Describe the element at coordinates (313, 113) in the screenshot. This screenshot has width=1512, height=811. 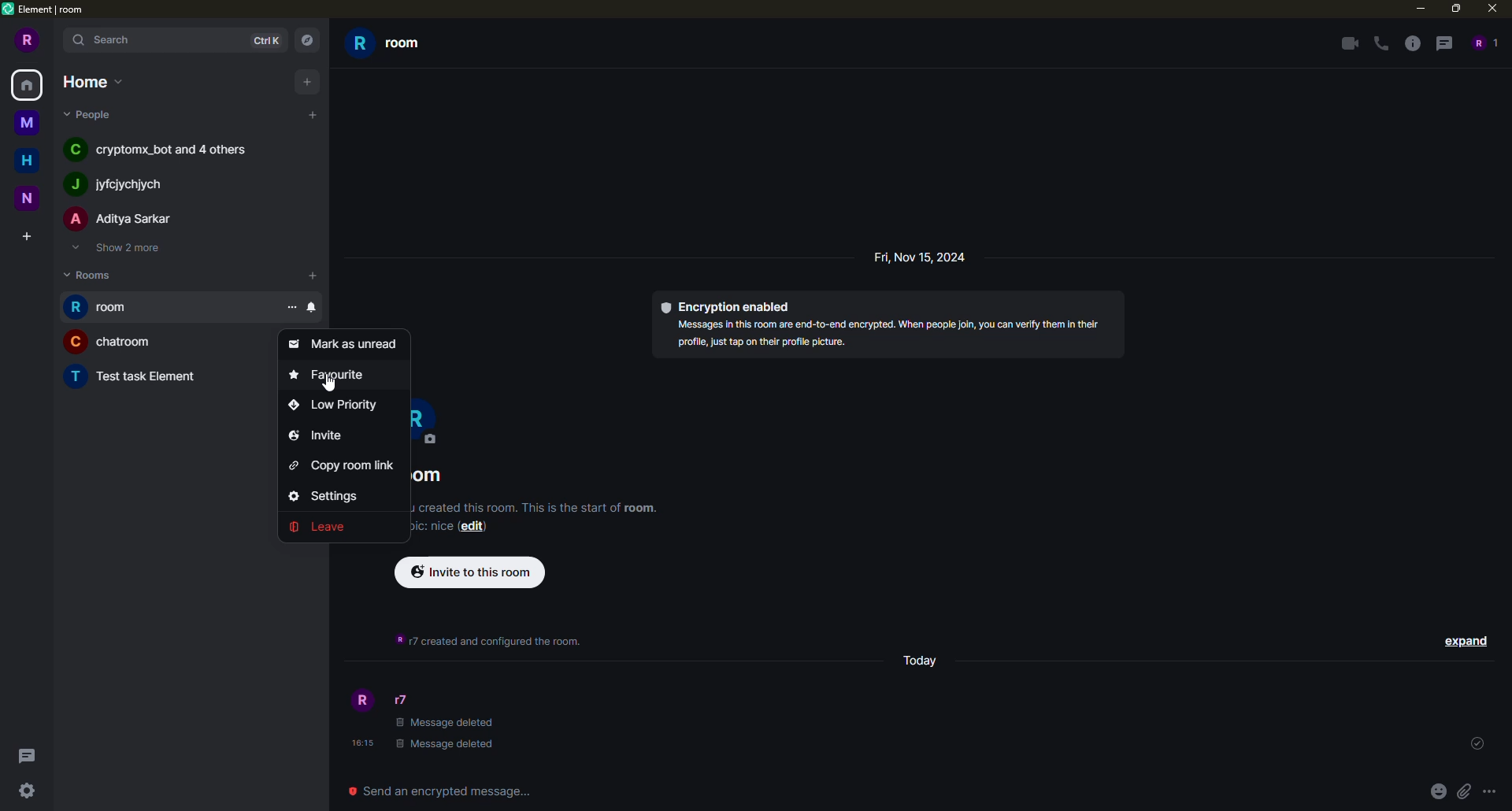
I see `add` at that location.